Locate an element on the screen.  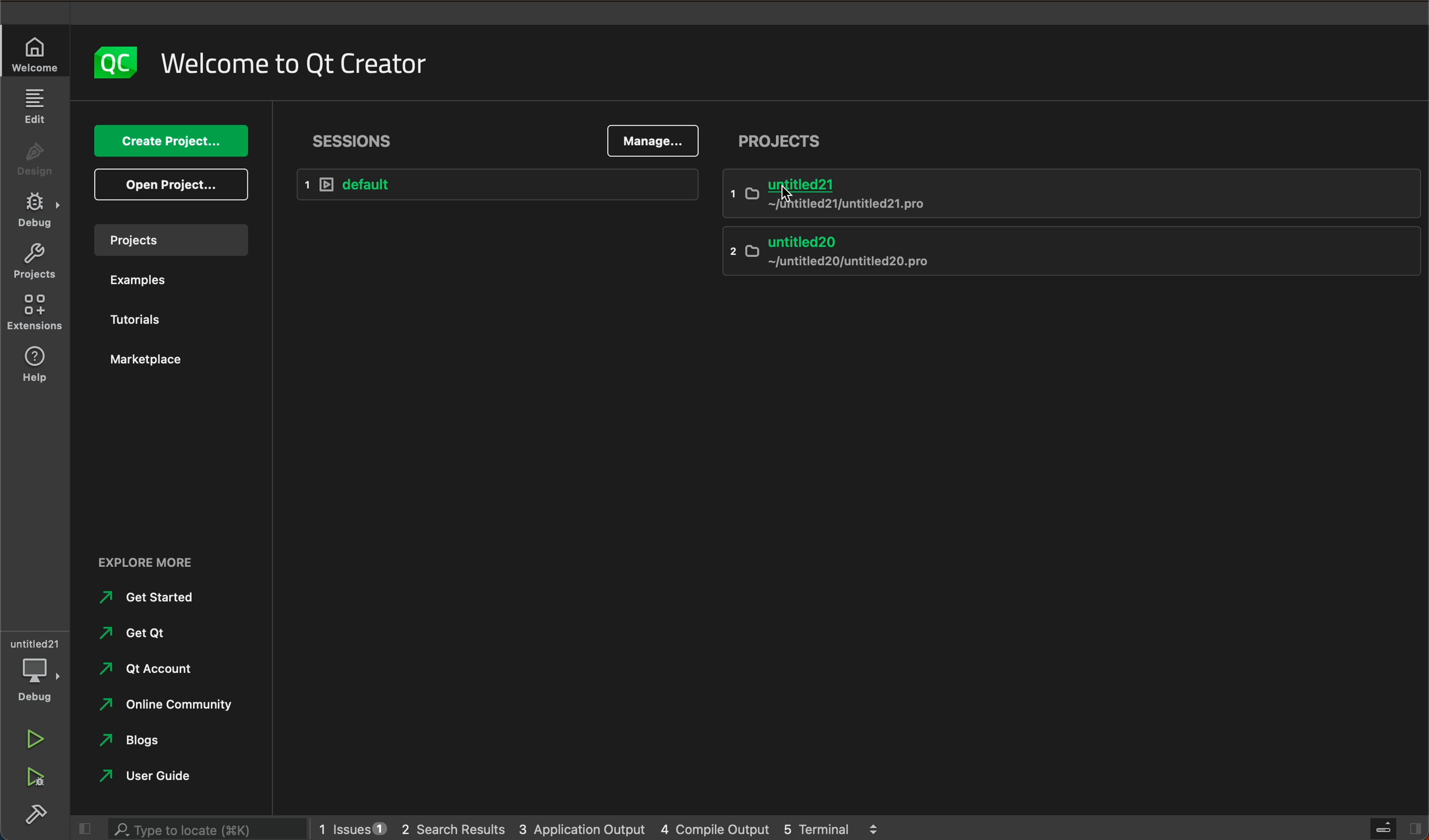
create is located at coordinates (172, 141).